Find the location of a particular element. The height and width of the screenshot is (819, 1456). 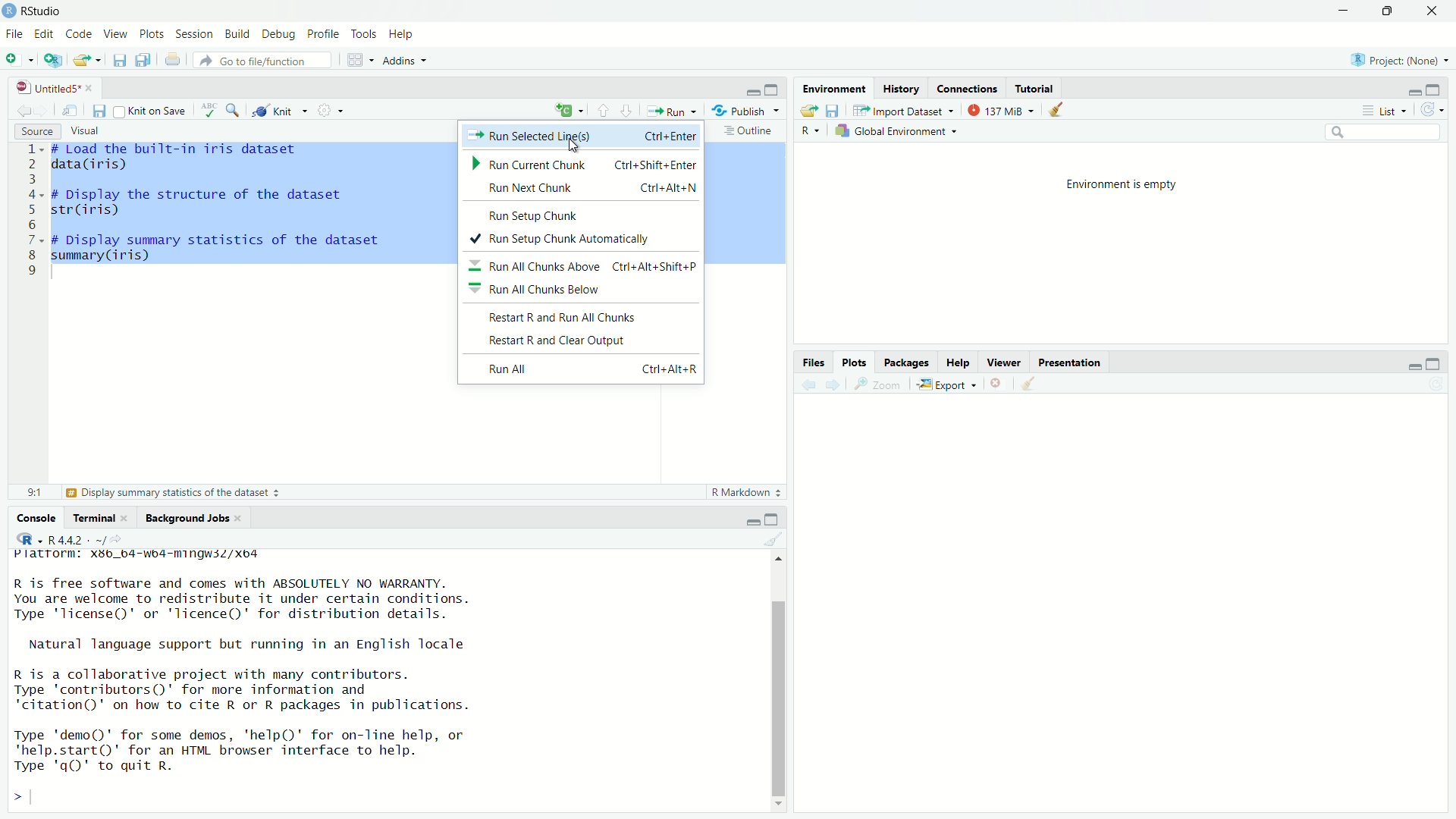

Environment is empty is located at coordinates (1122, 186).